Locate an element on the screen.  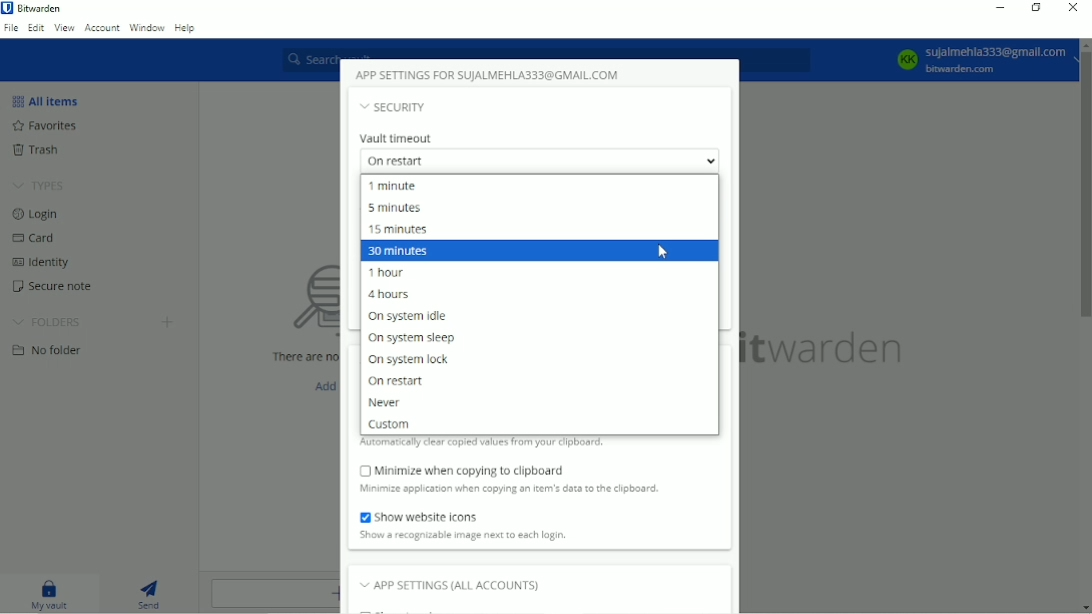
Show a recognizable image next to each login is located at coordinates (484, 535).